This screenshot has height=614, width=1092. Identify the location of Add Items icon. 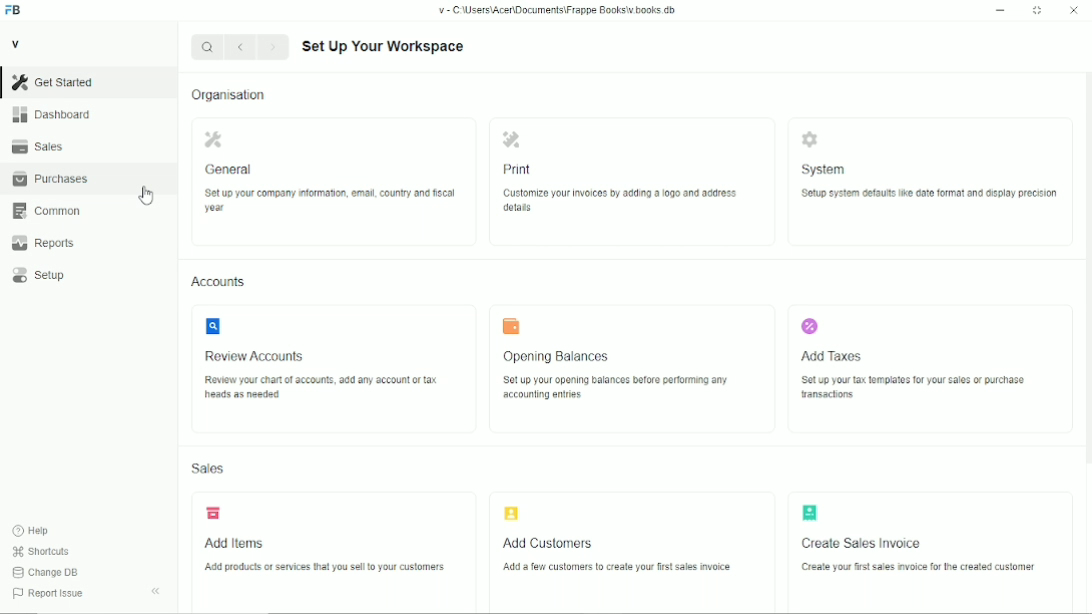
(213, 513).